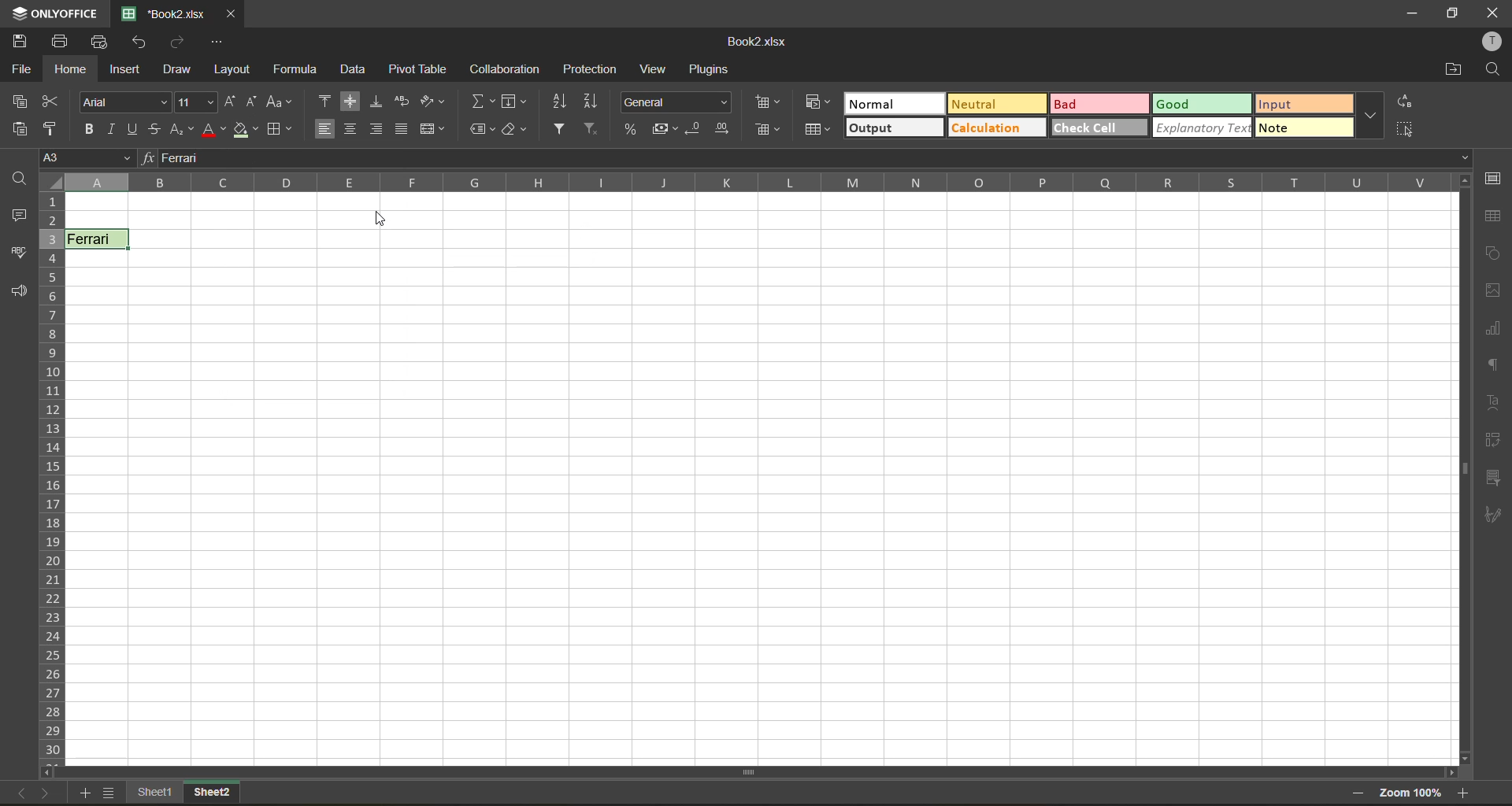 This screenshot has height=806, width=1512. I want to click on print, so click(63, 41).